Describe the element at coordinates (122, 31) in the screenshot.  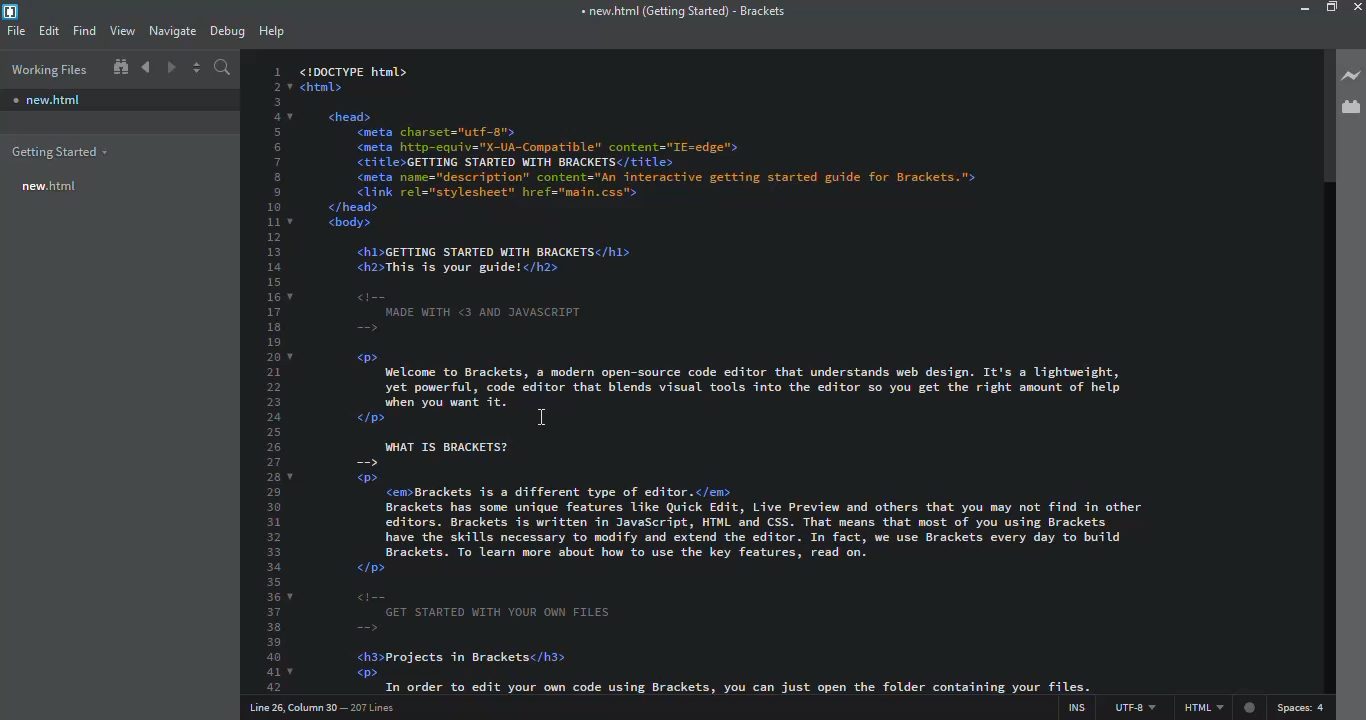
I see `view` at that location.